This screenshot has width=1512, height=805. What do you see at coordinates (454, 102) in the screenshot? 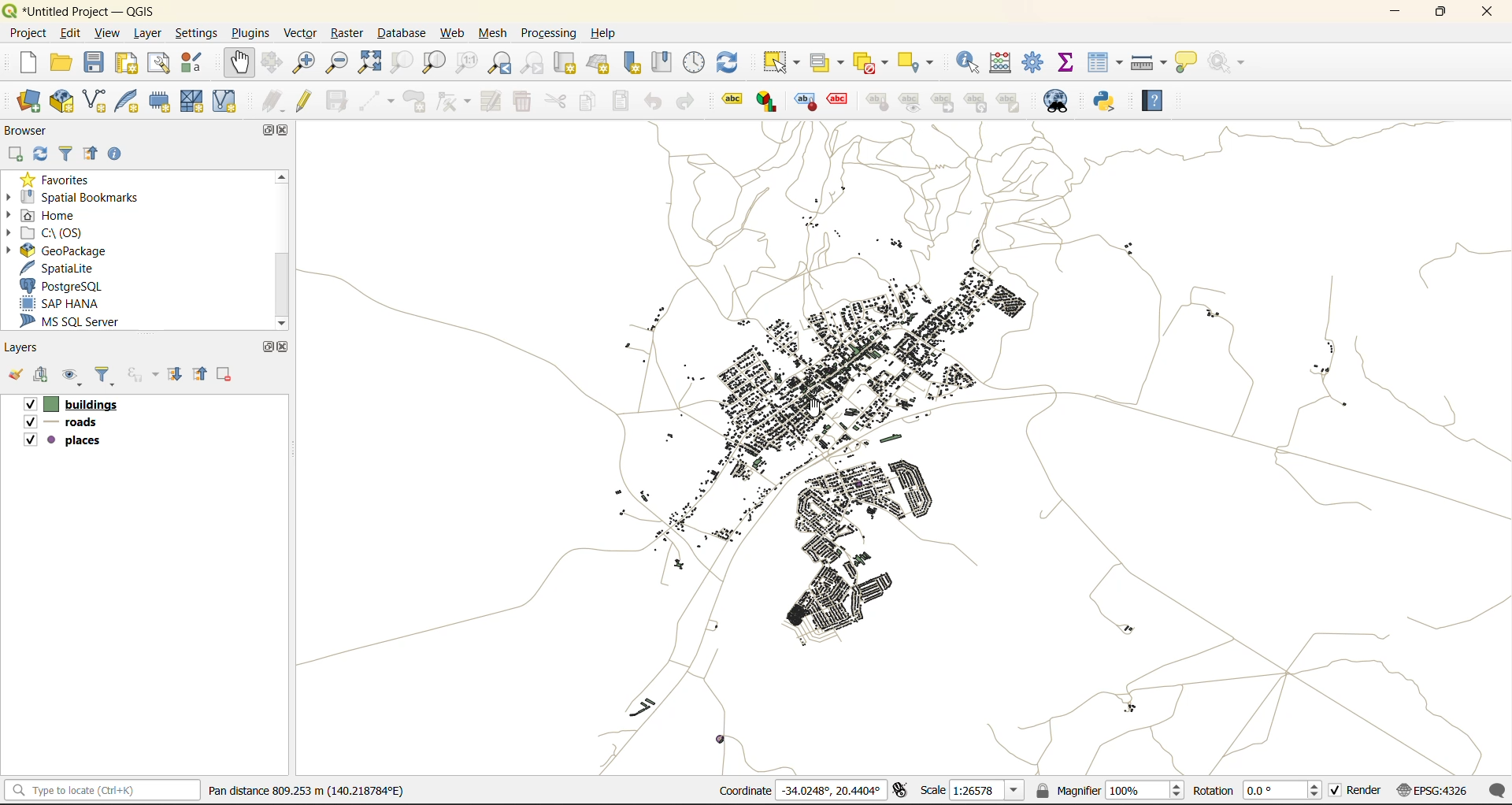
I see `vertex tools` at bounding box center [454, 102].